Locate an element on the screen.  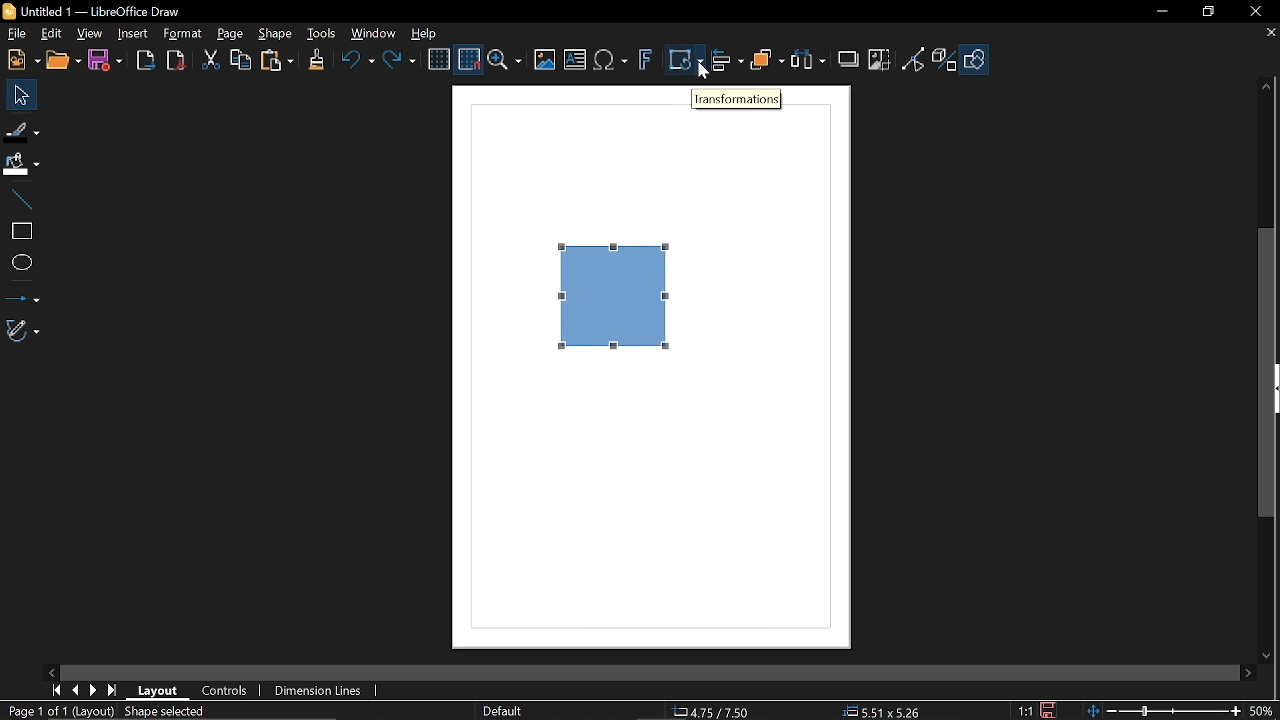
Move right is located at coordinates (1245, 673).